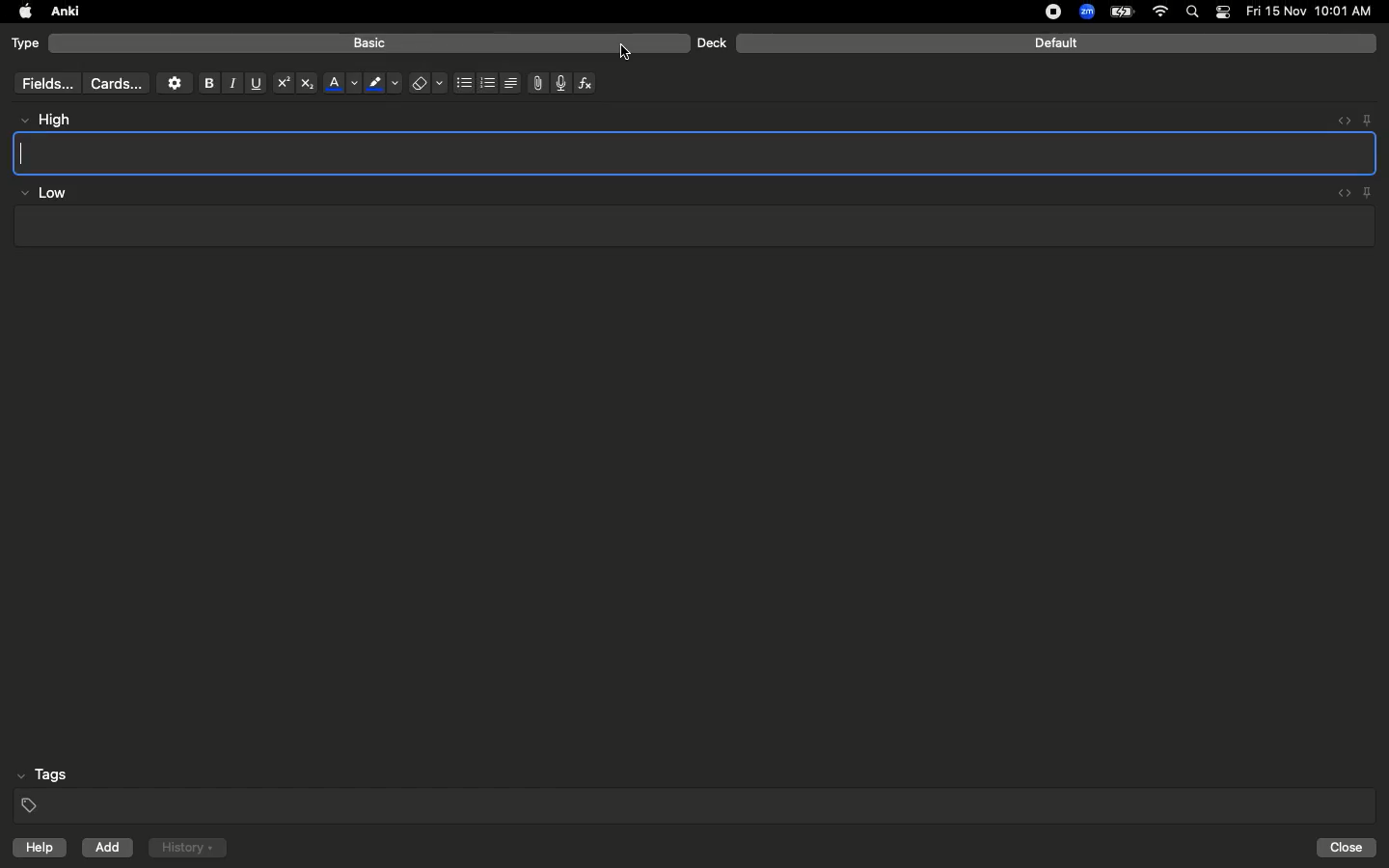  I want to click on Zoom, so click(1085, 13).